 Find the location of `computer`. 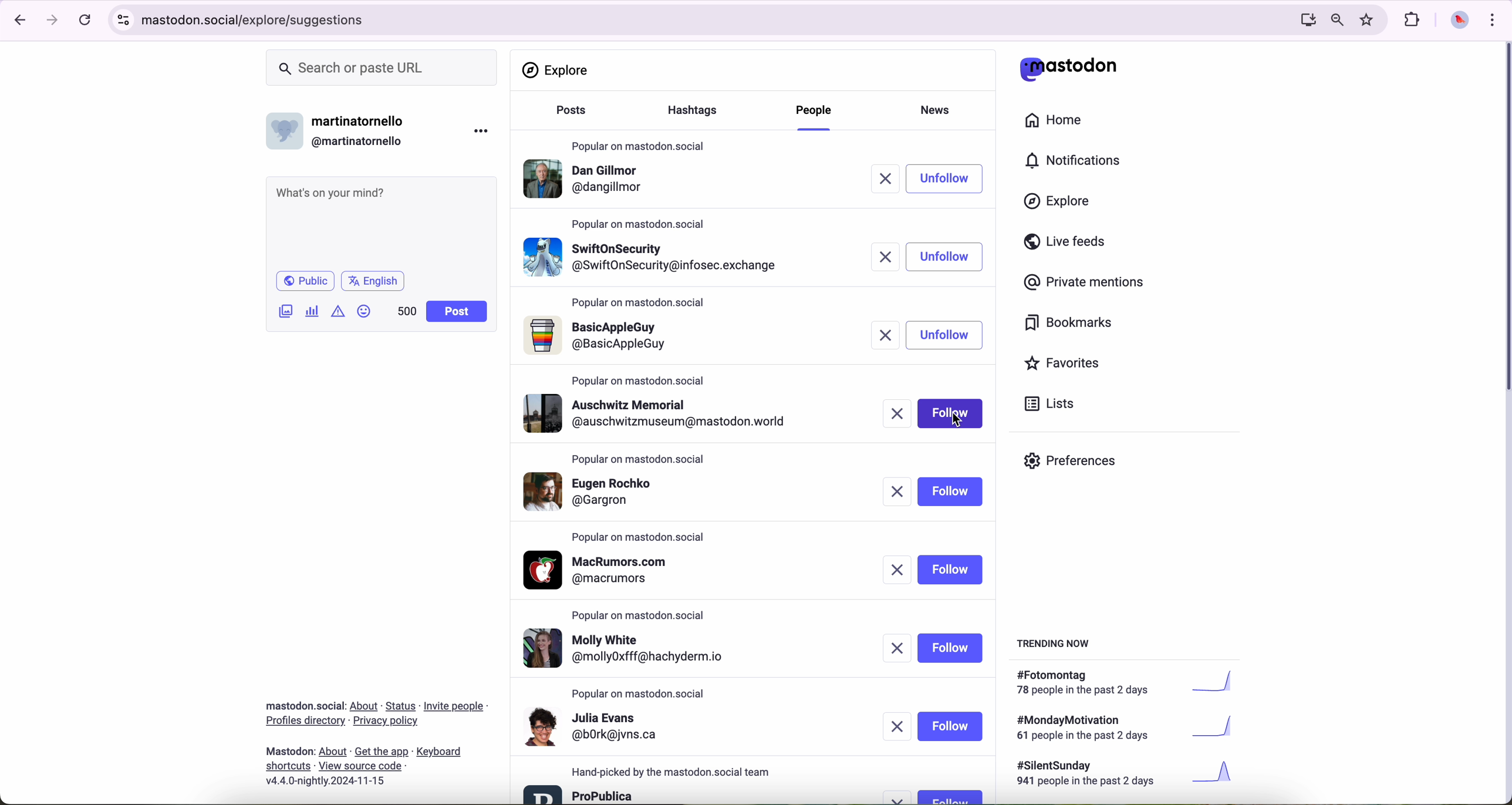

computer is located at coordinates (1303, 19).